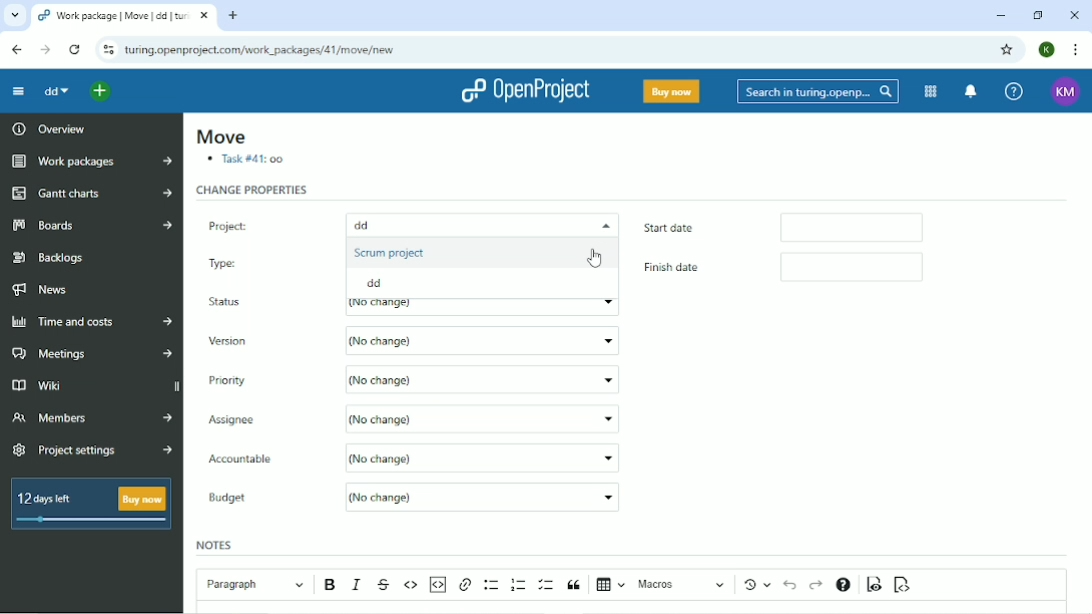  I want to click on Collapse project menu, so click(18, 91).